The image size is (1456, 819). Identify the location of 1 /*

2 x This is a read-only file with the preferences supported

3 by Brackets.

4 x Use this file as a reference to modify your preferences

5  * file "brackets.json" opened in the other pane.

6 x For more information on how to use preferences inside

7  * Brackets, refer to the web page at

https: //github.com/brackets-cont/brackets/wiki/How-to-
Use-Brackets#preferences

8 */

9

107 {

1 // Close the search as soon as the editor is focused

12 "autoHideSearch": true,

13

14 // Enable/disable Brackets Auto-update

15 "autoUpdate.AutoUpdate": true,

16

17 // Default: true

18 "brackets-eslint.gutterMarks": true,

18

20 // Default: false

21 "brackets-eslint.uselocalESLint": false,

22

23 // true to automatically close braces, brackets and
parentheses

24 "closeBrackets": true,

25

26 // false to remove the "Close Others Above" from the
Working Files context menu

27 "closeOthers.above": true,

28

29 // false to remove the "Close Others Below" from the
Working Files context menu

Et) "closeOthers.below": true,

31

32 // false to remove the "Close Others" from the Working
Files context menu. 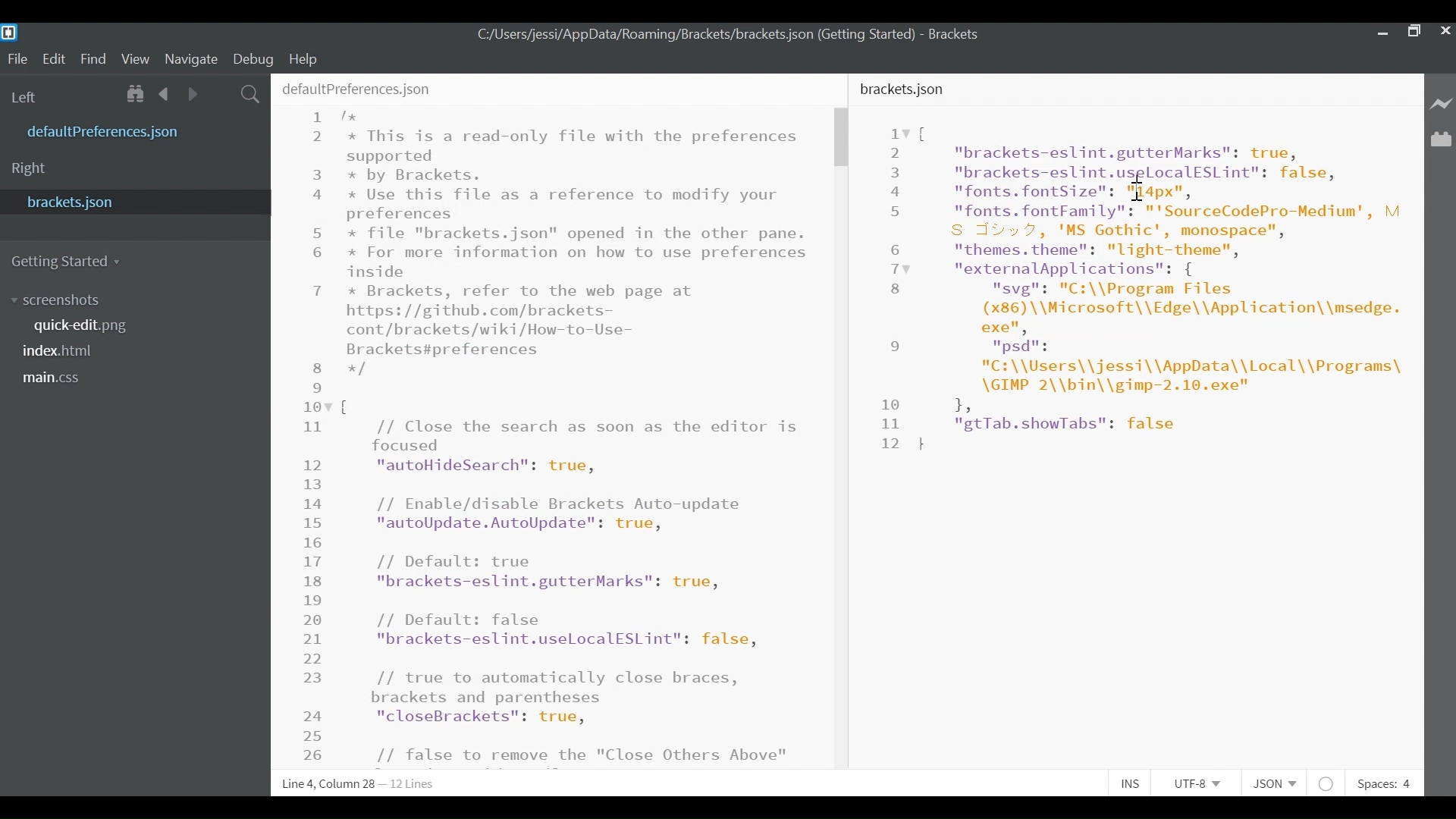
(559, 438).